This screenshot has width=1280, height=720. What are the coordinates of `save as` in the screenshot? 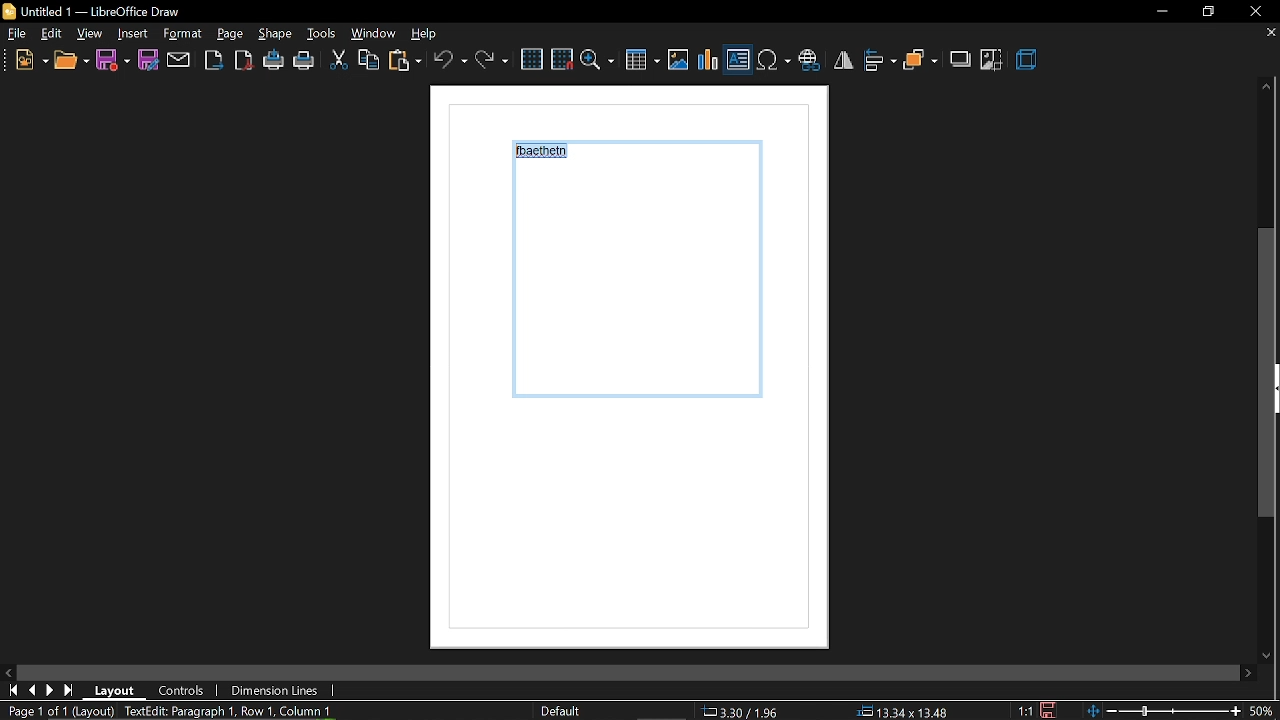 It's located at (146, 59).